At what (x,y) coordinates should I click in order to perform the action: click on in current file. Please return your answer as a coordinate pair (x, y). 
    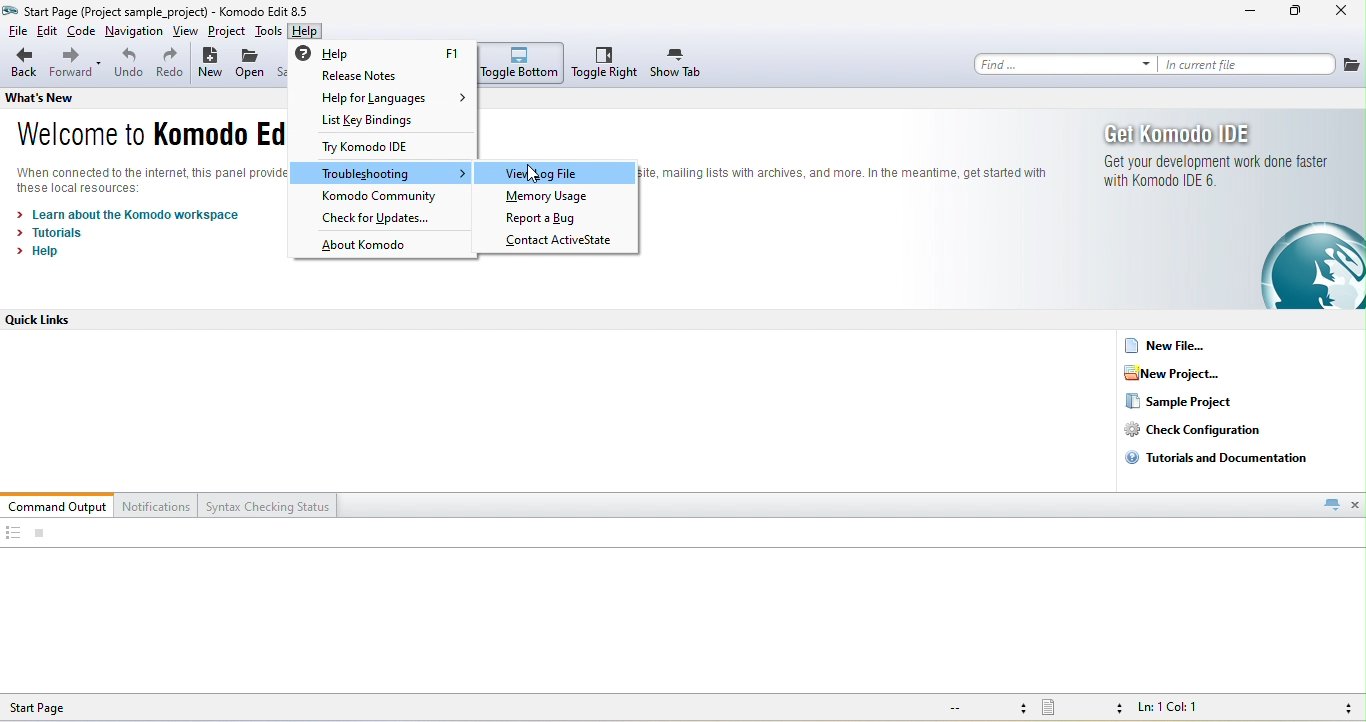
    Looking at the image, I should click on (1248, 64).